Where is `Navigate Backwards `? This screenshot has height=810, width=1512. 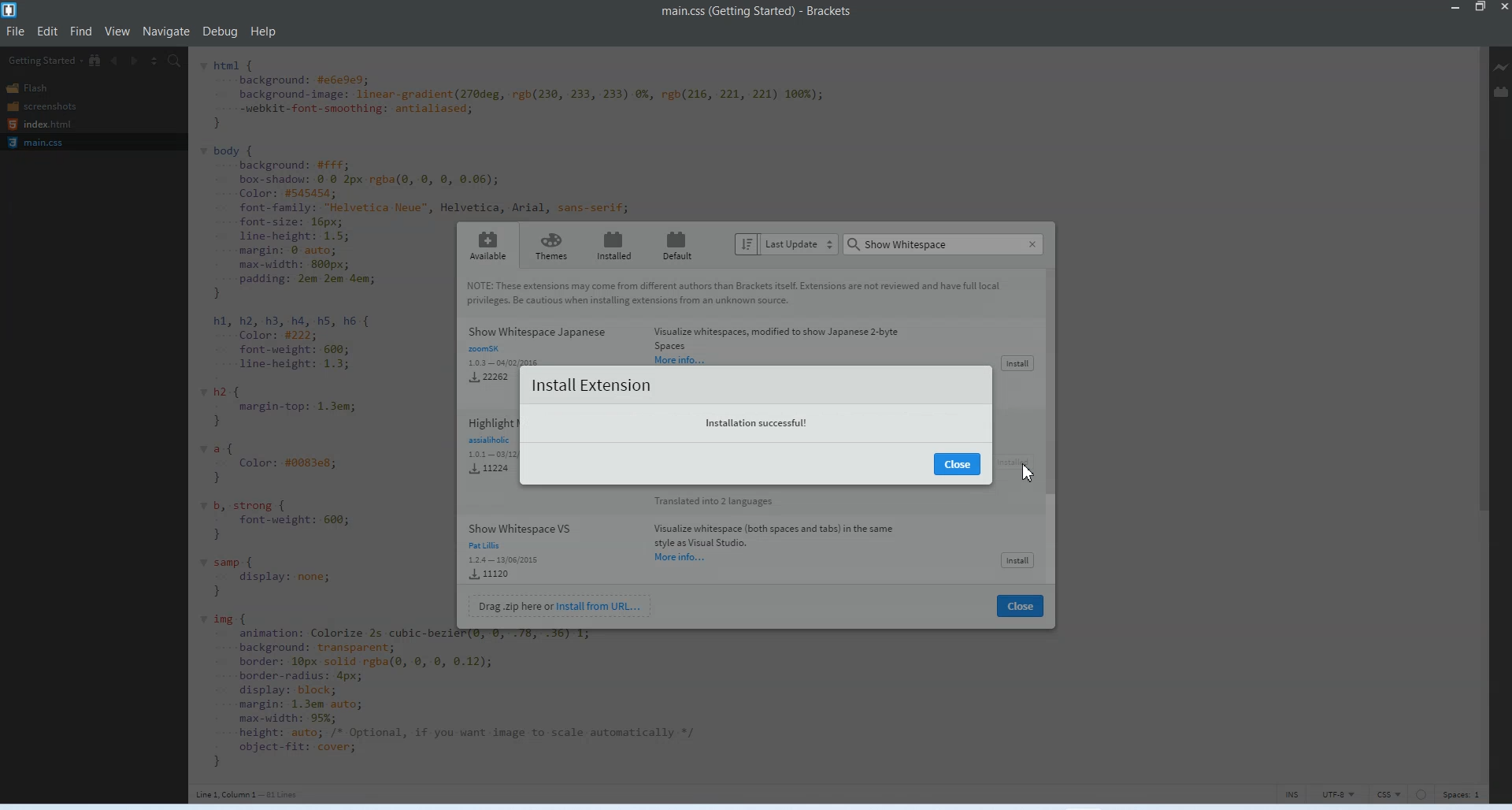
Navigate Backwards  is located at coordinates (114, 60).